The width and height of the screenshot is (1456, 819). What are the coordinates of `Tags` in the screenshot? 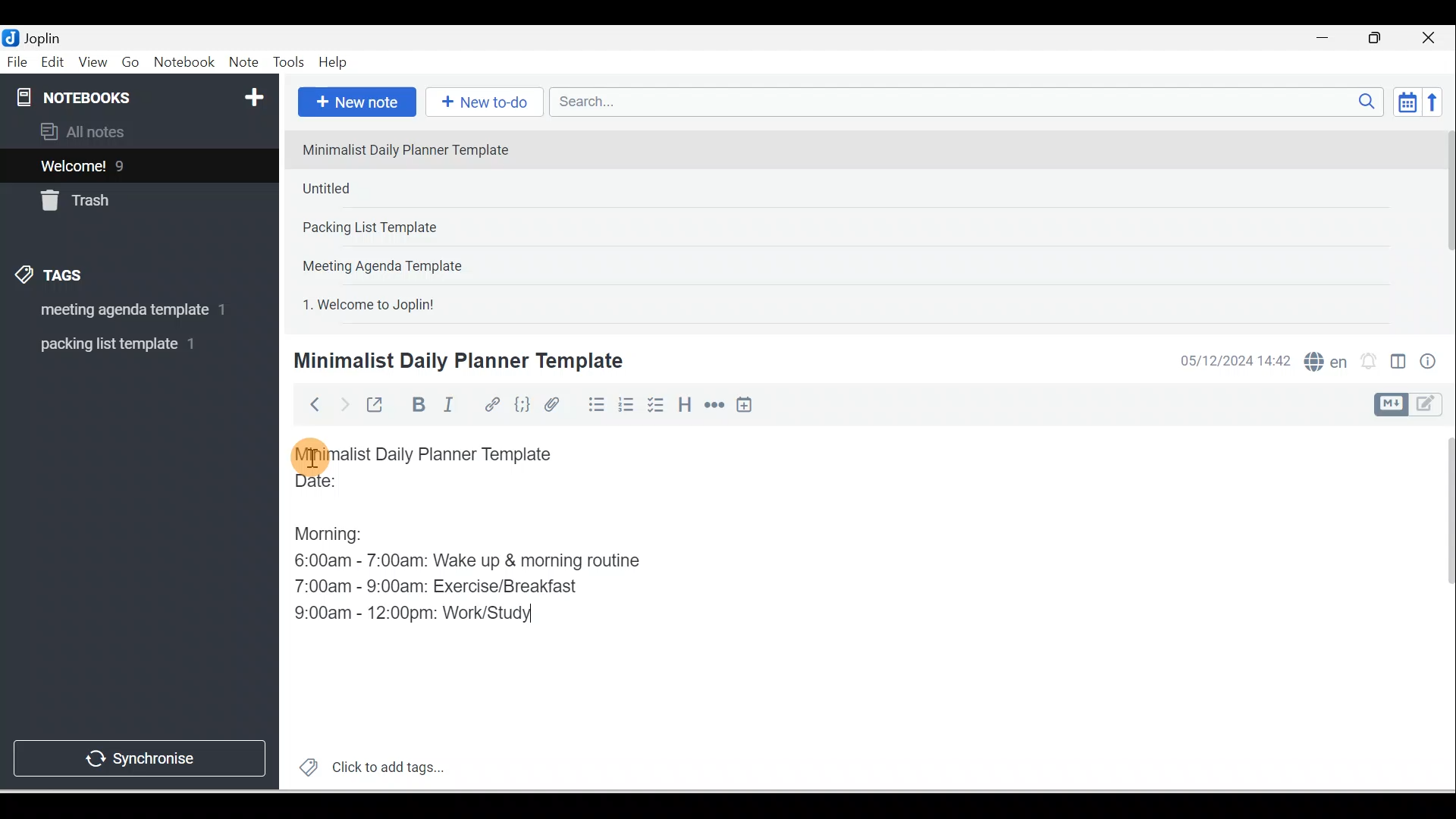 It's located at (54, 278).